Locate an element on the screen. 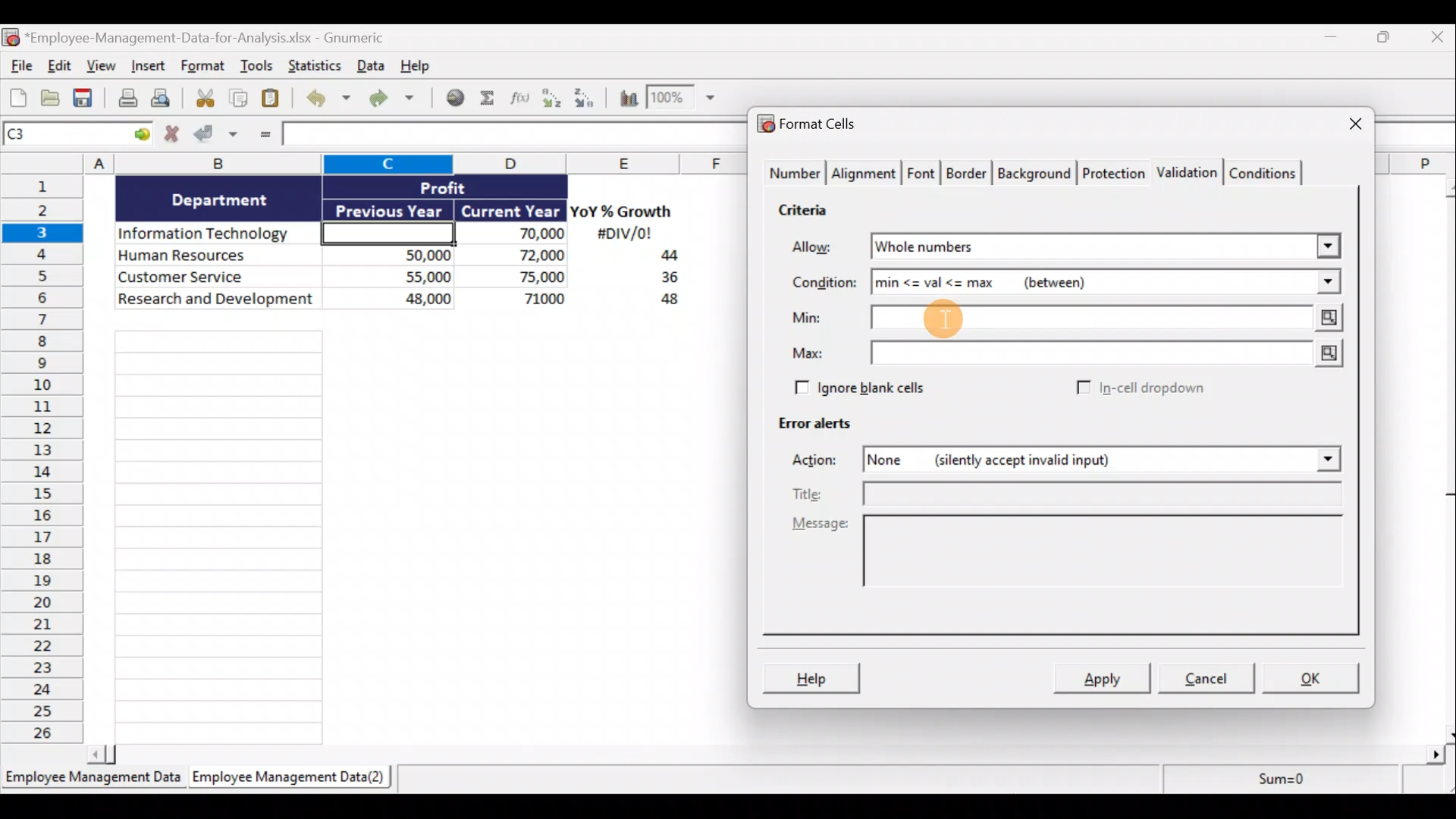  Sort descending is located at coordinates (582, 96).